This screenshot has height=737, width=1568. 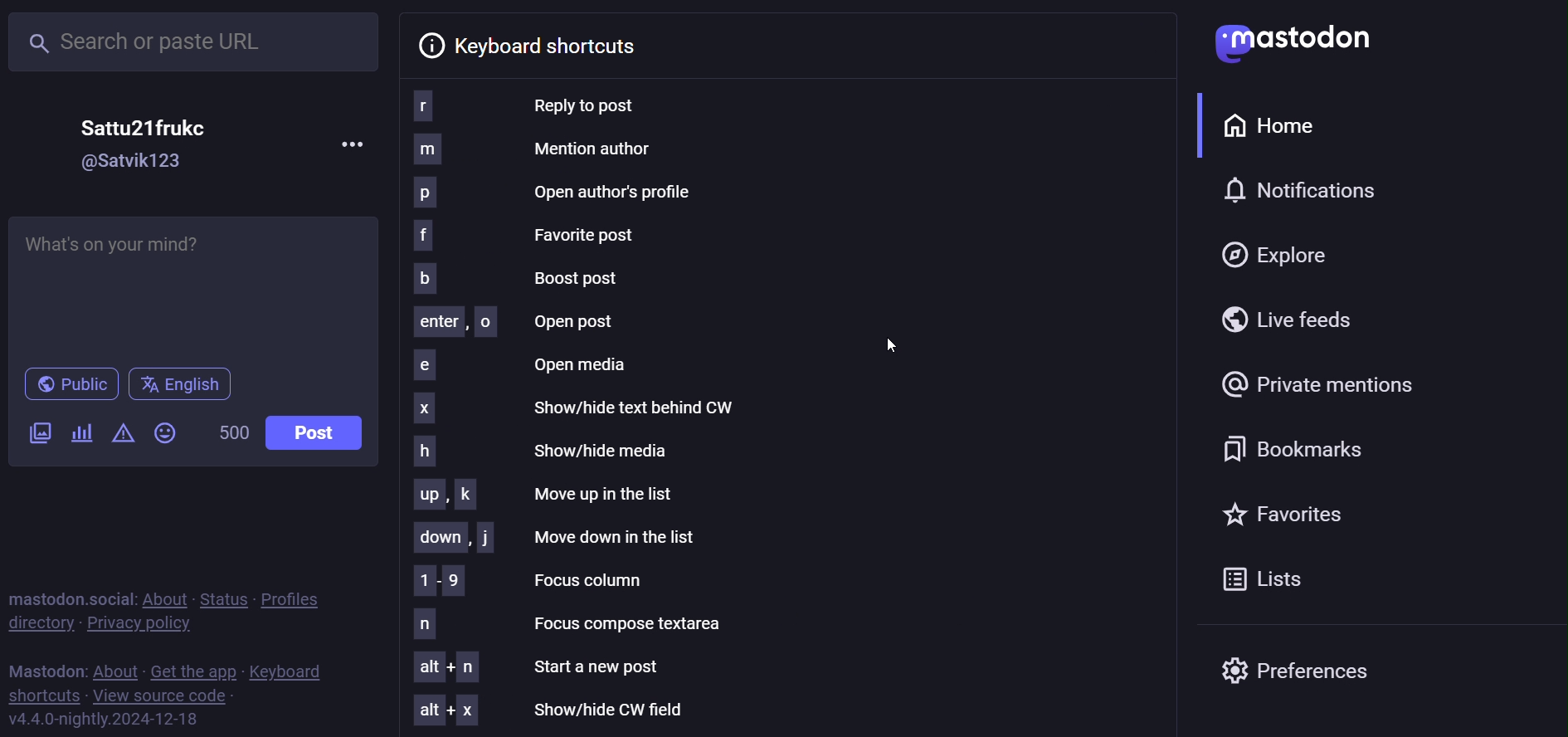 What do you see at coordinates (1289, 447) in the screenshot?
I see `bookmarks` at bounding box center [1289, 447].